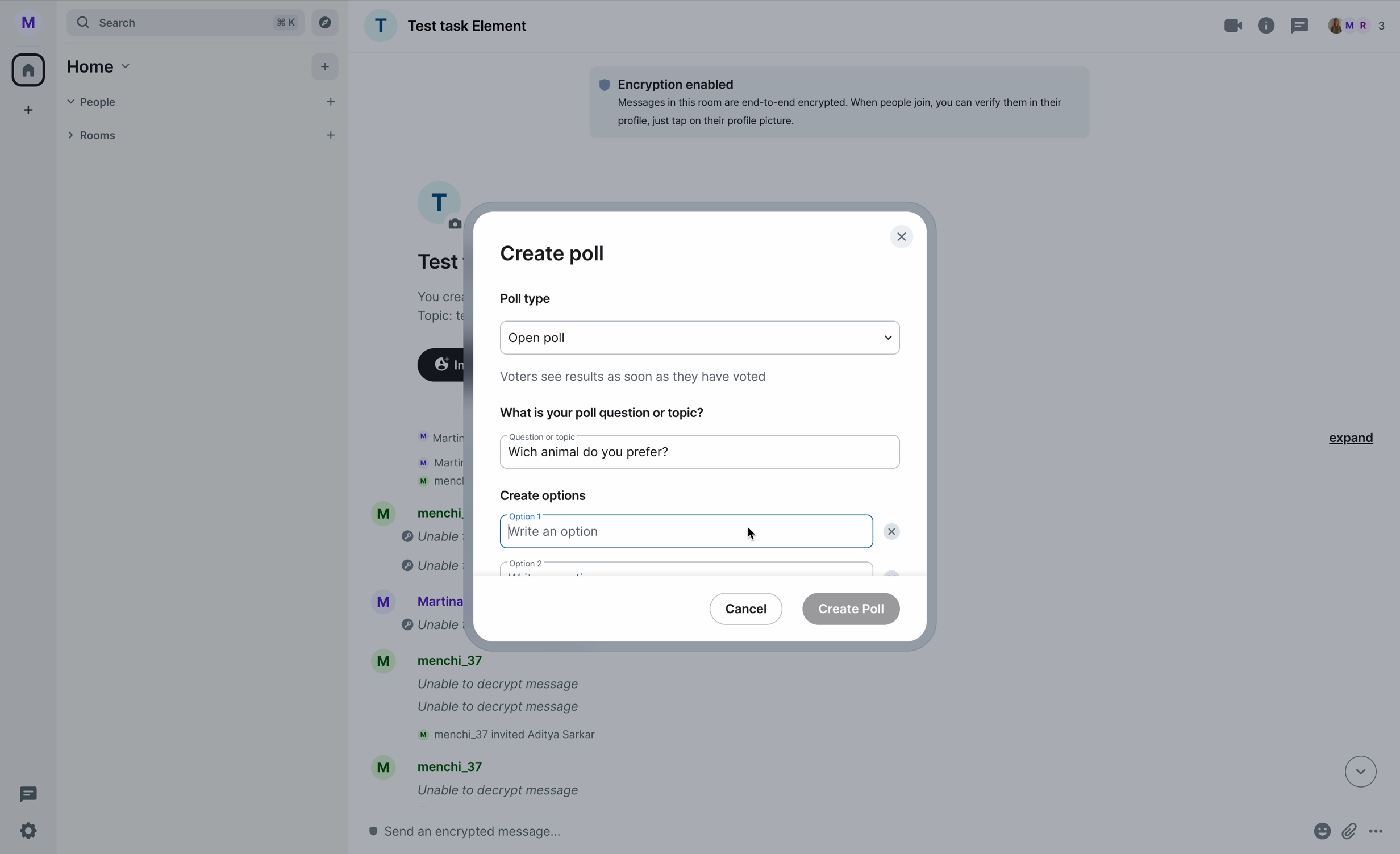 The height and width of the screenshot is (854, 1400). Describe the element at coordinates (328, 22) in the screenshot. I see `explore` at that location.